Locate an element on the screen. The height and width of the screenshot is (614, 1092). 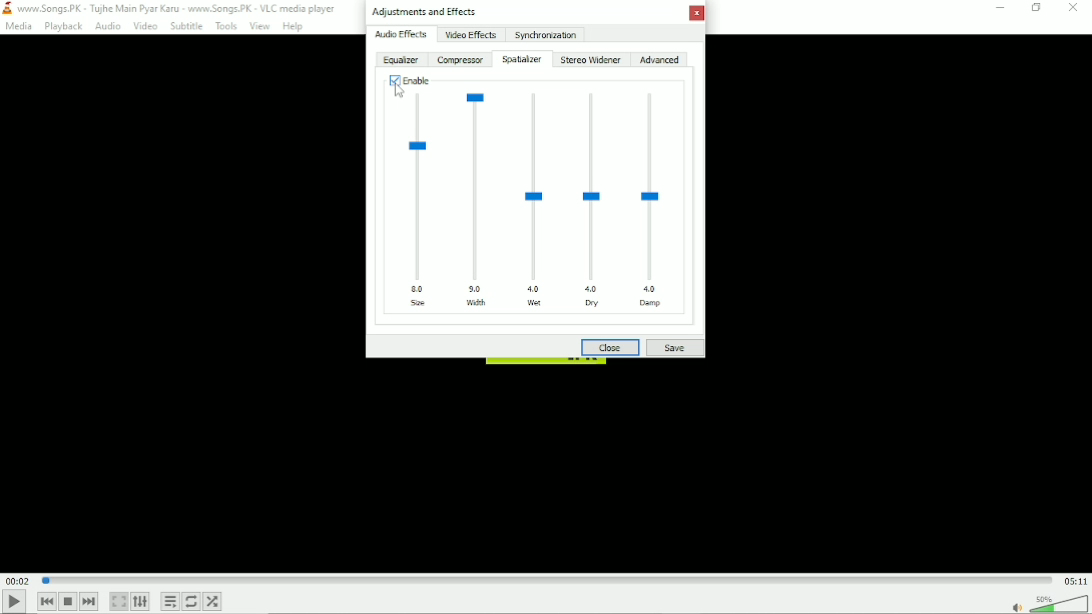
Video effects is located at coordinates (471, 35).